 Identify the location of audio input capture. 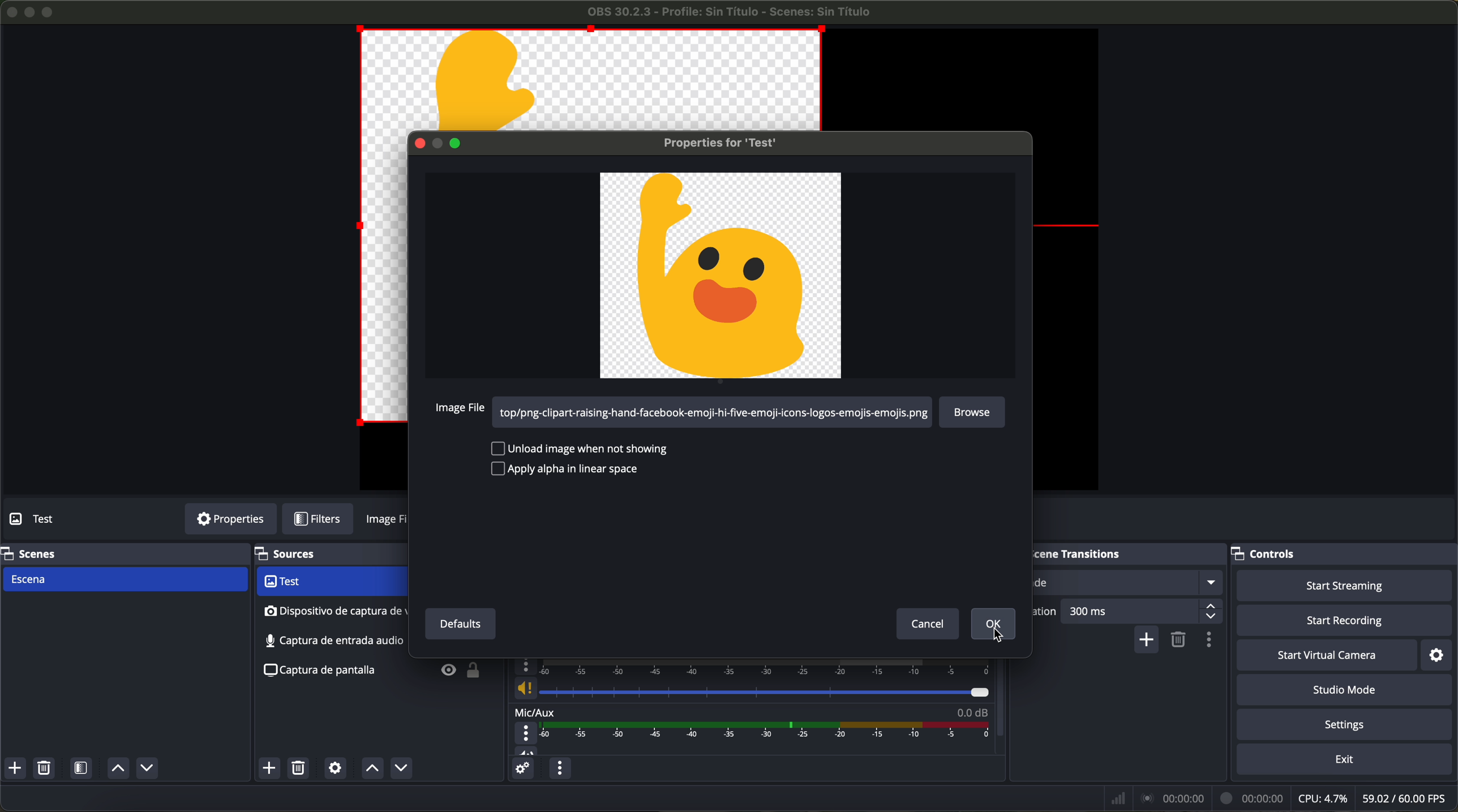
(333, 612).